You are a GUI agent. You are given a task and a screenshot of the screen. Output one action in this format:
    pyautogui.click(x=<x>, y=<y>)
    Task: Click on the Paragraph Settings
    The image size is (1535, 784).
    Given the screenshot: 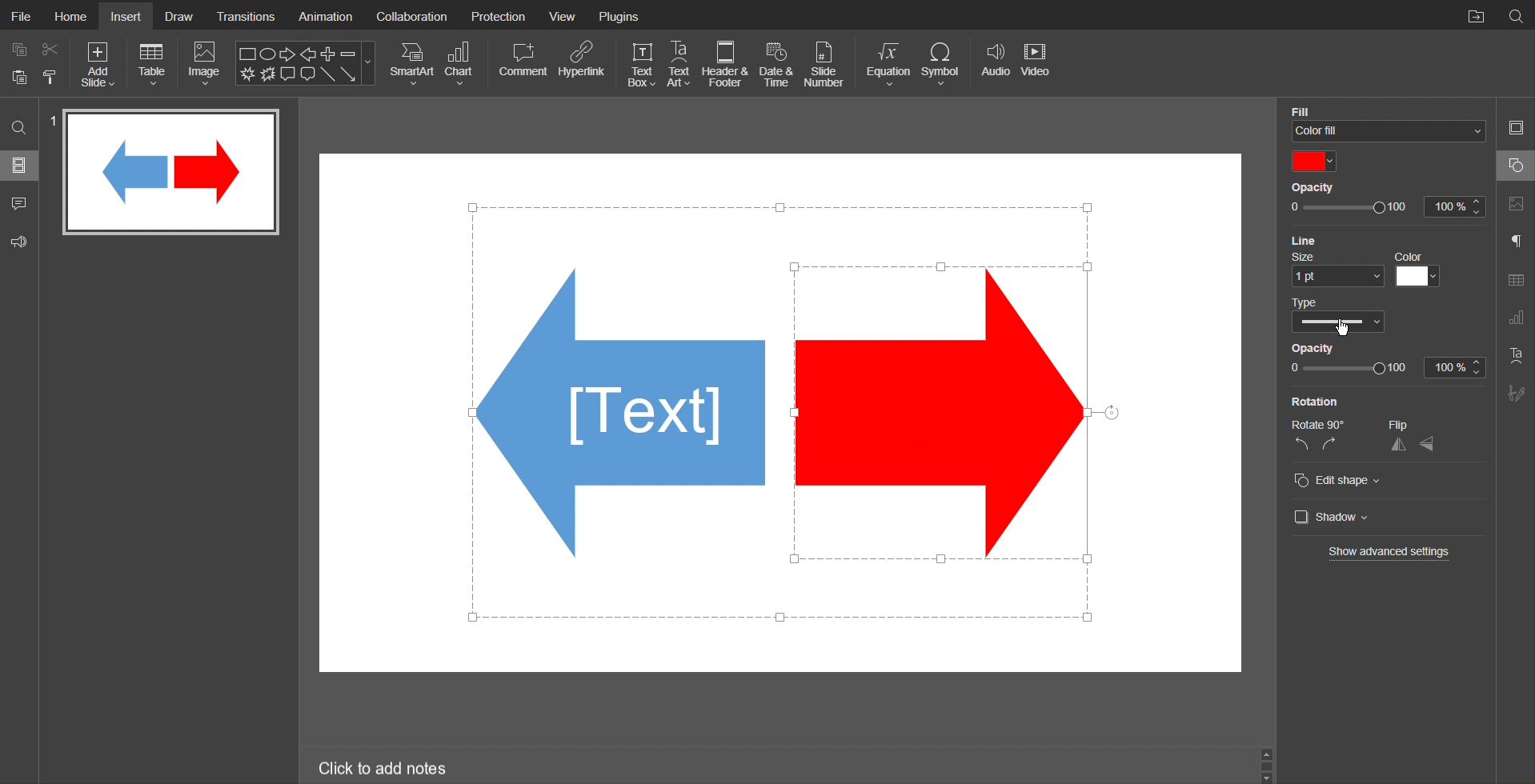 What is the action you would take?
    pyautogui.click(x=1516, y=242)
    